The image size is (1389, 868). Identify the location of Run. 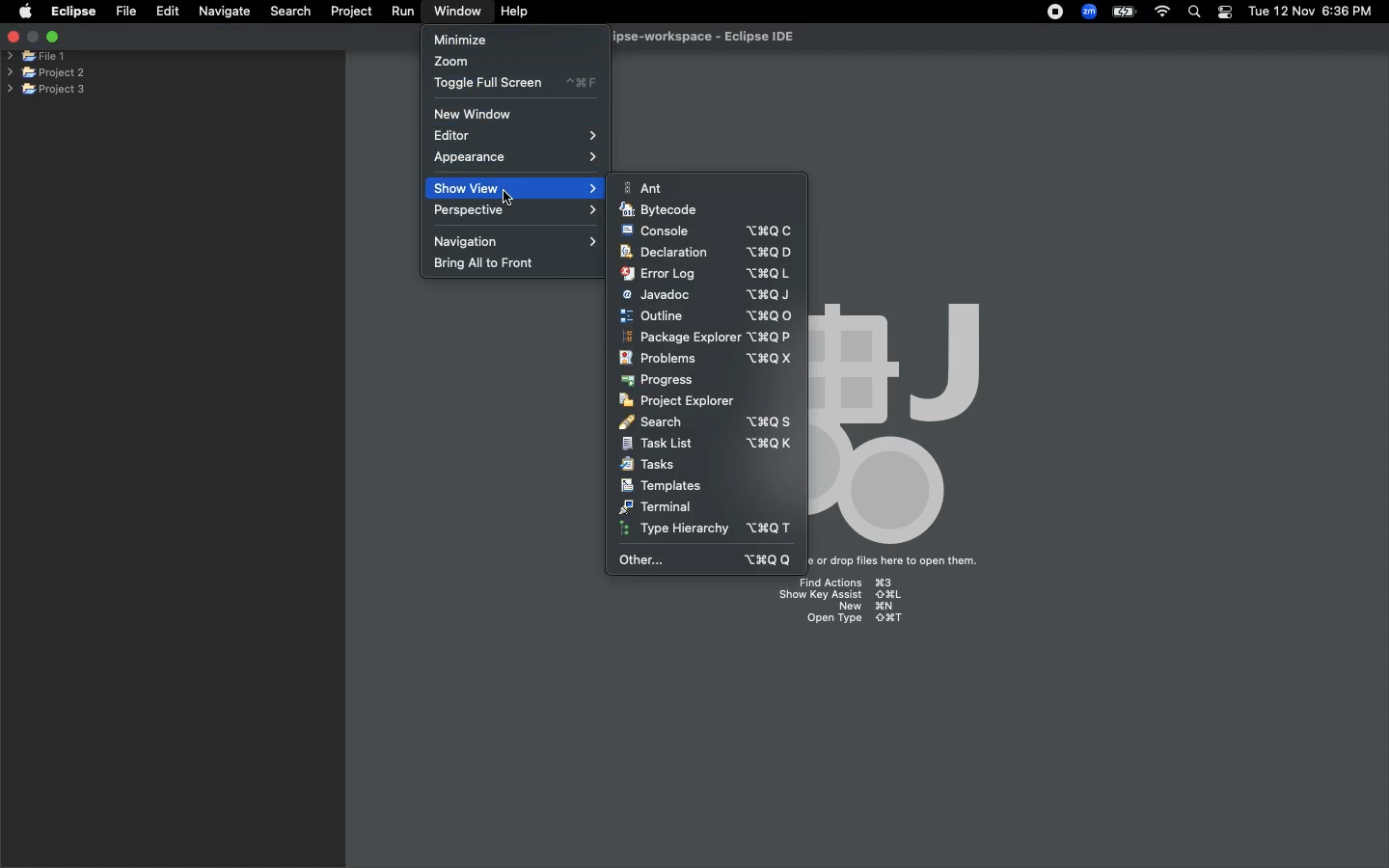
(404, 12).